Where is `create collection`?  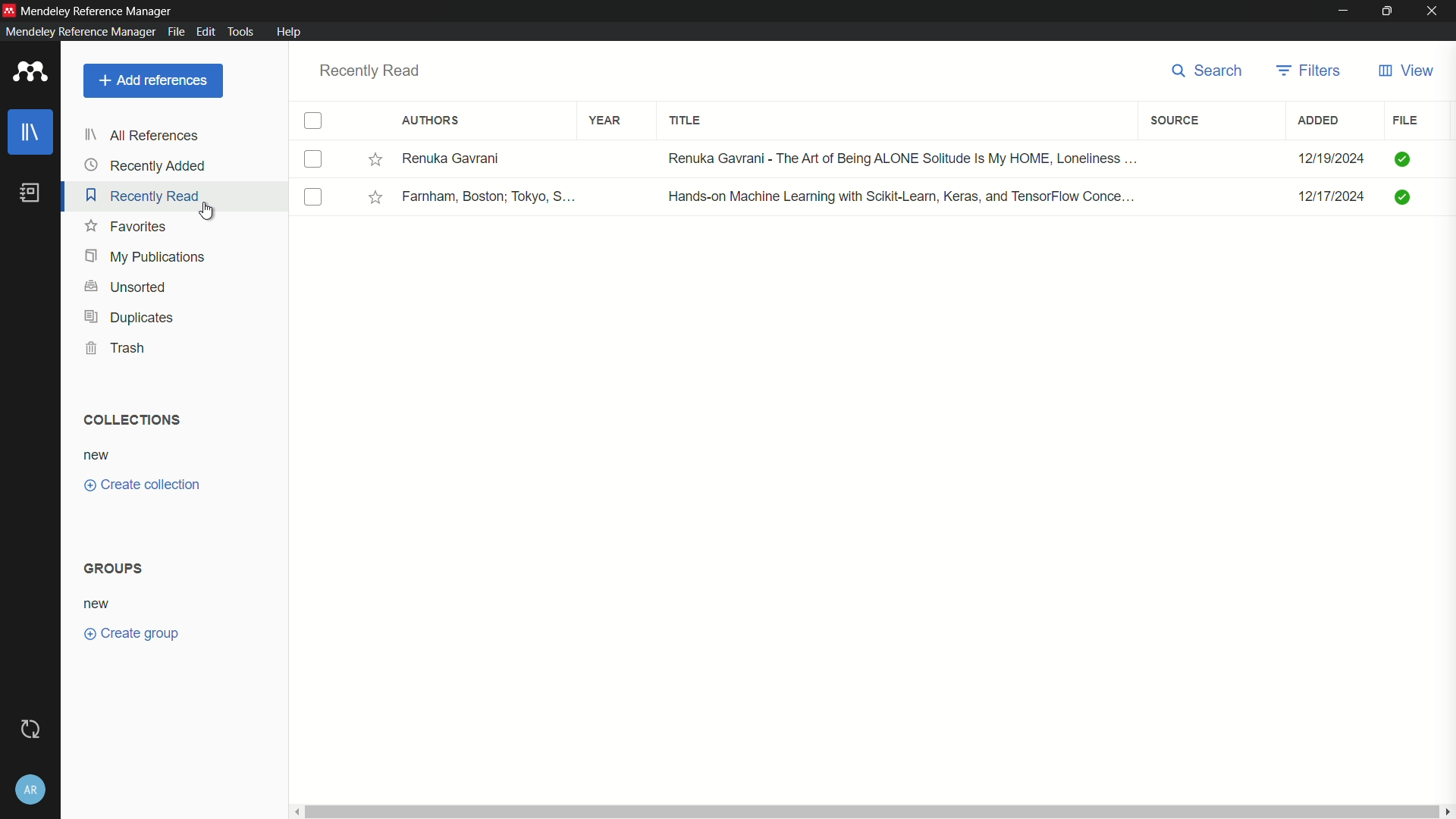
create collection is located at coordinates (140, 485).